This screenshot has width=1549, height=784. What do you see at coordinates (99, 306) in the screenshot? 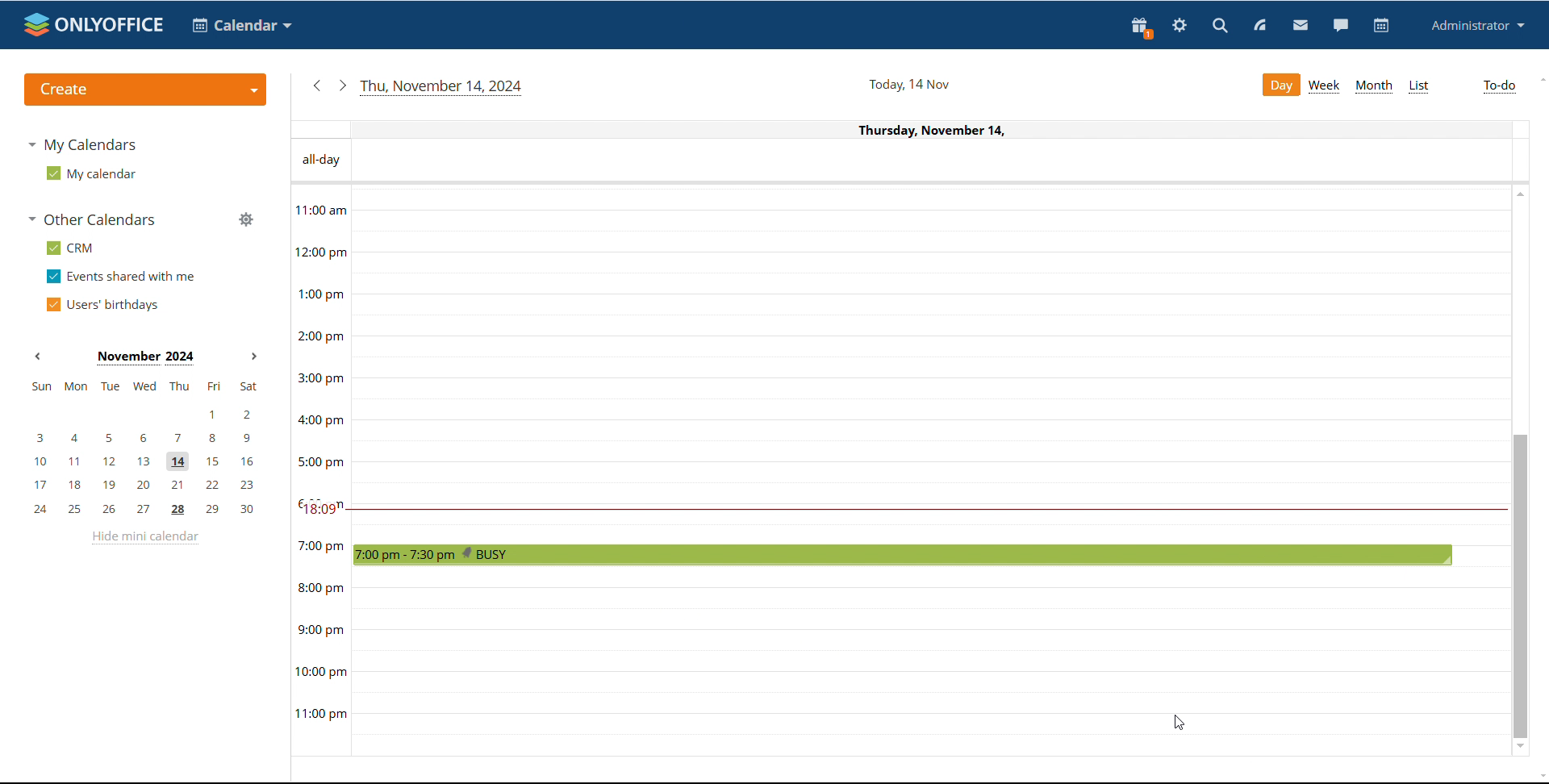
I see `users' birthdays` at bounding box center [99, 306].